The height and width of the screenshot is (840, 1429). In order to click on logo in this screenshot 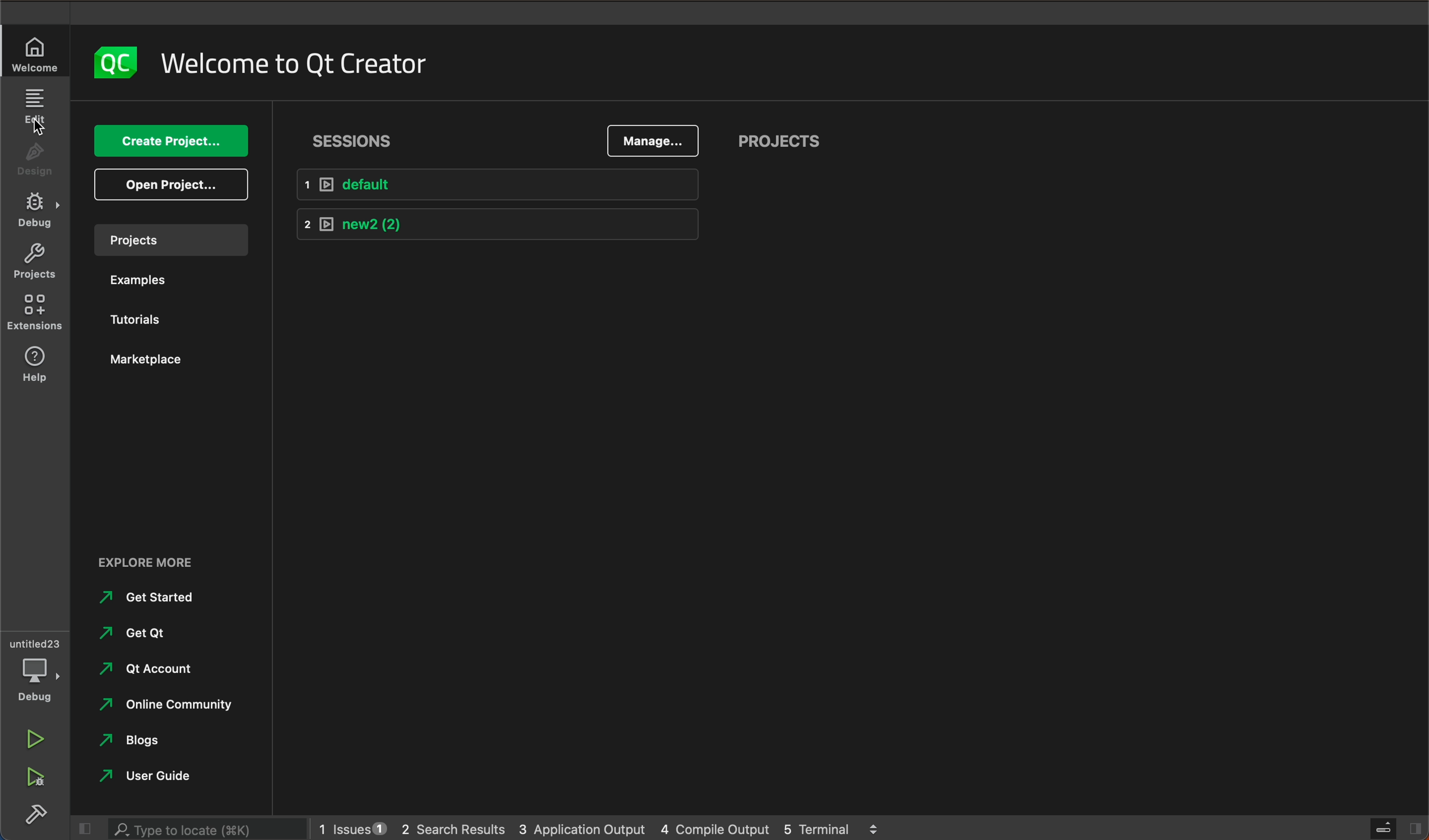, I will do `click(116, 62)`.